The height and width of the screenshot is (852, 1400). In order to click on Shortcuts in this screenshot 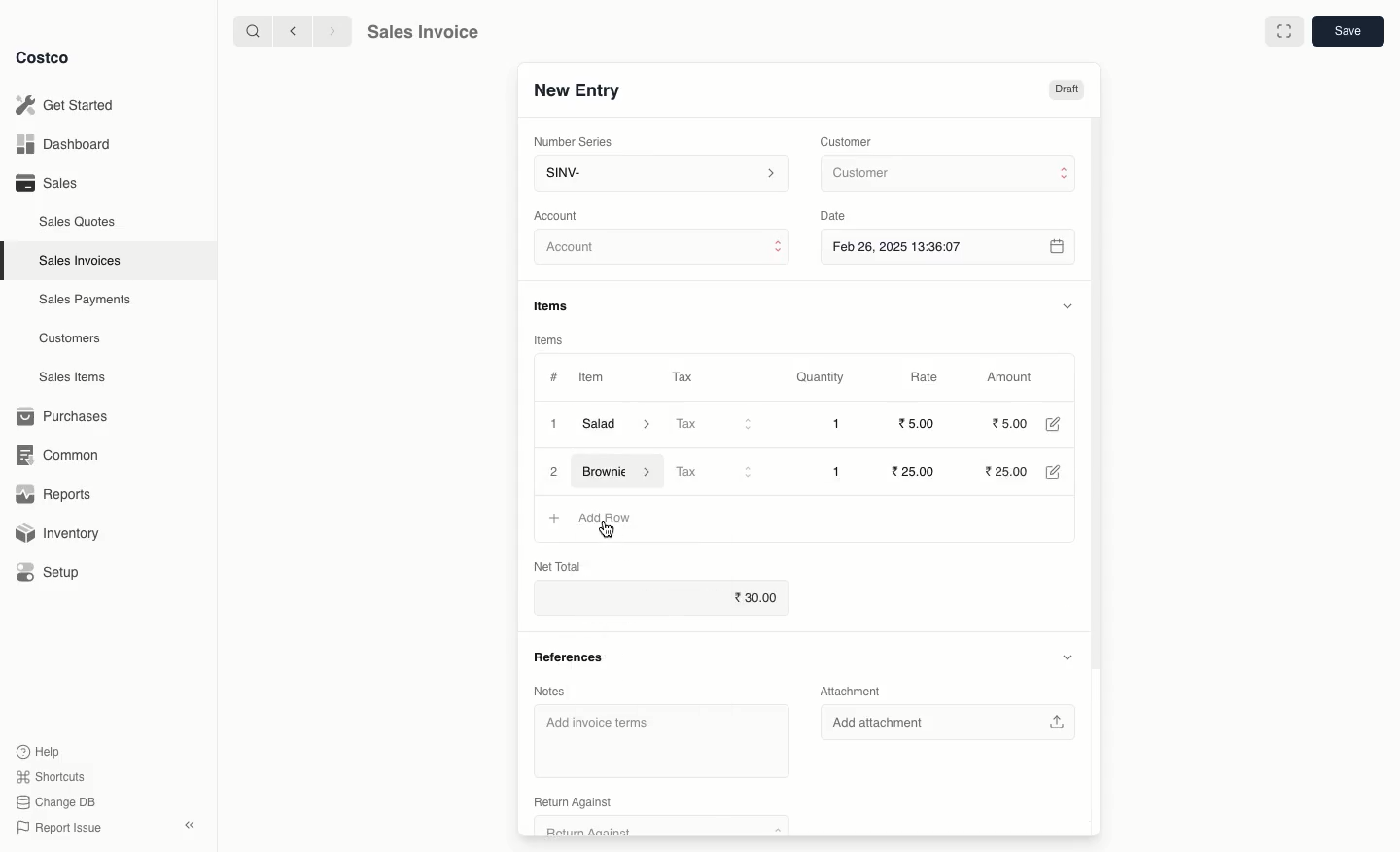, I will do `click(50, 777)`.